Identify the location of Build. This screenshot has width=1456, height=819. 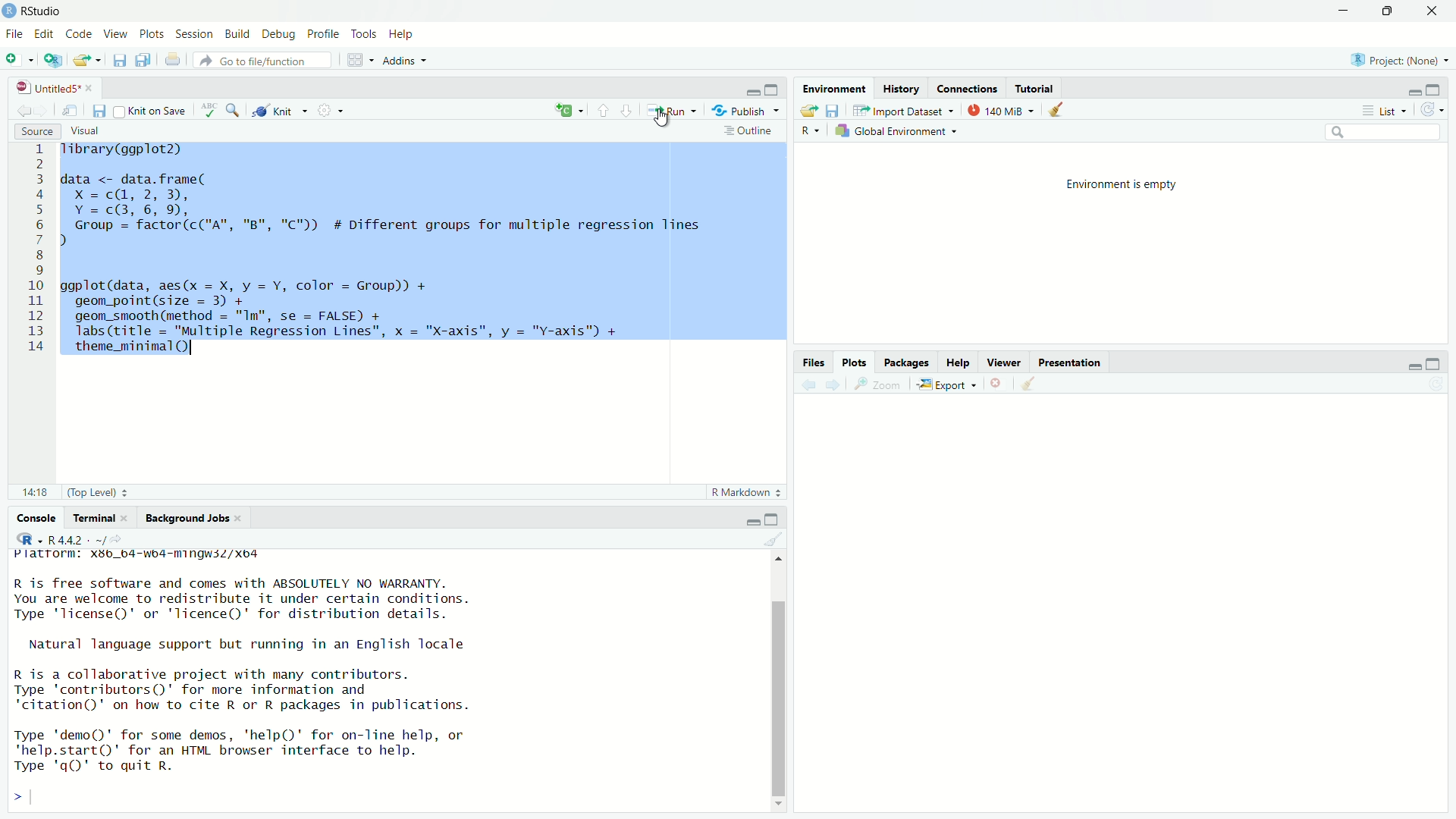
(237, 34).